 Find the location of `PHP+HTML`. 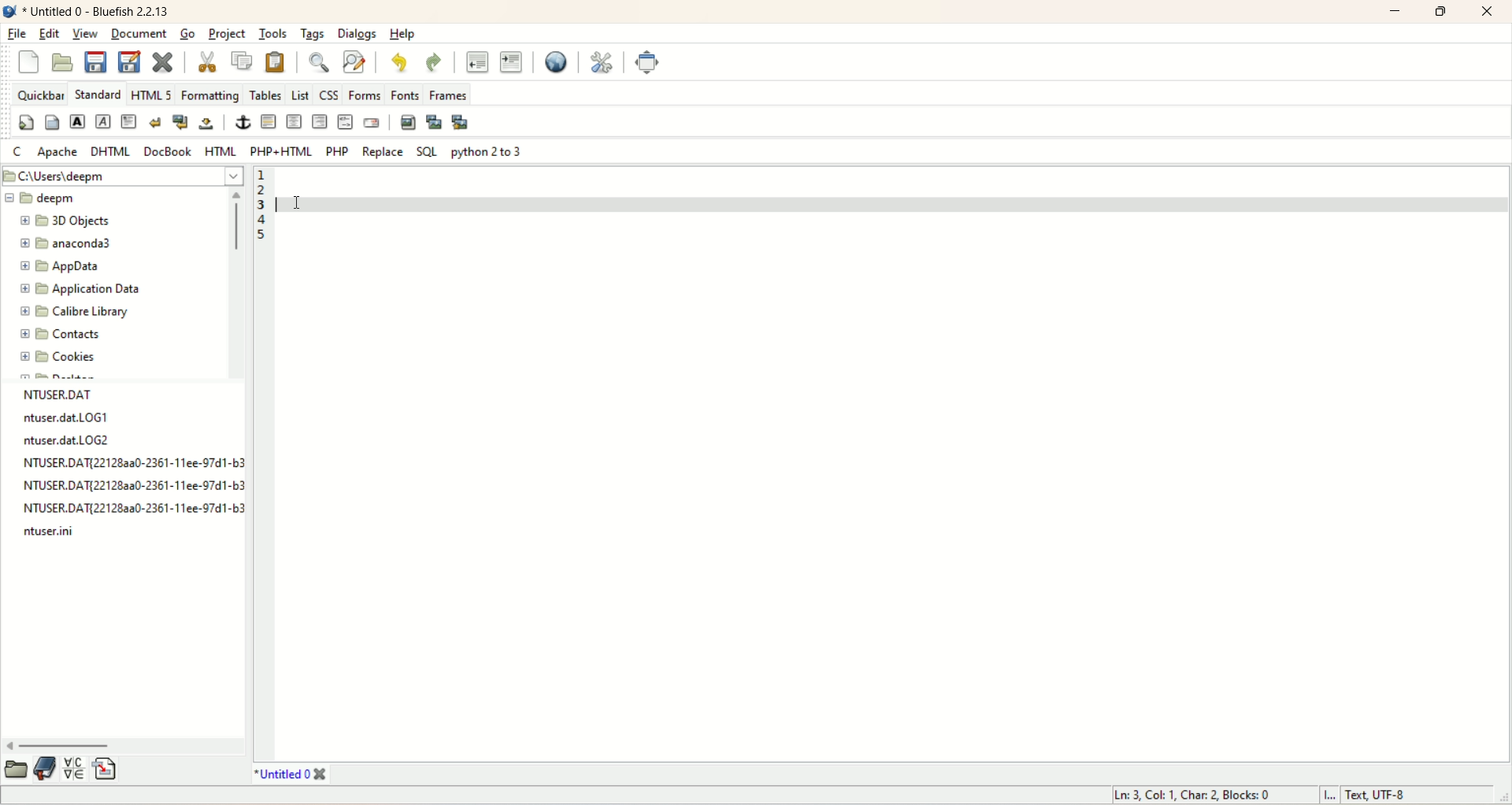

PHP+HTML is located at coordinates (284, 151).